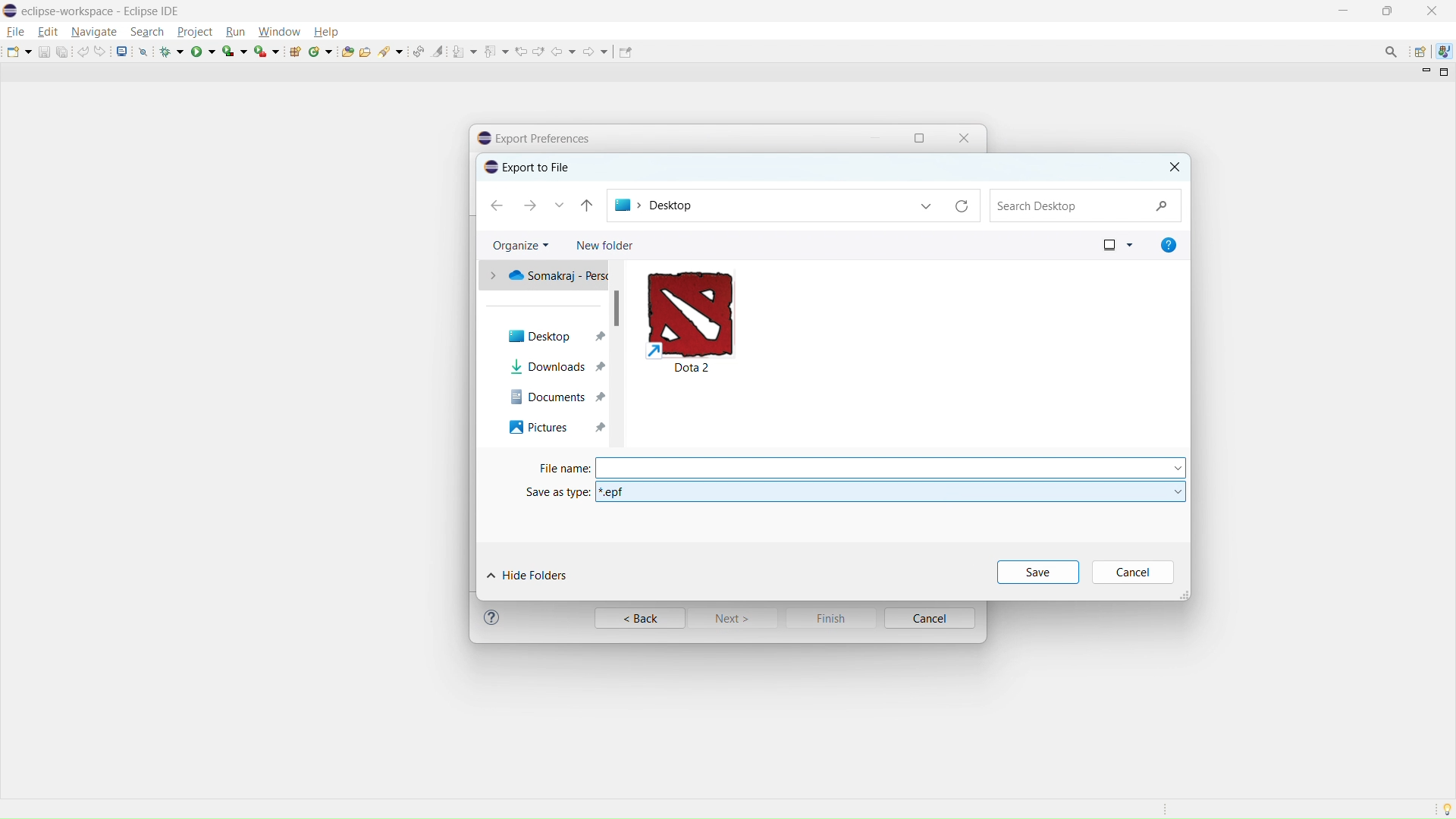  I want to click on window, so click(279, 32).